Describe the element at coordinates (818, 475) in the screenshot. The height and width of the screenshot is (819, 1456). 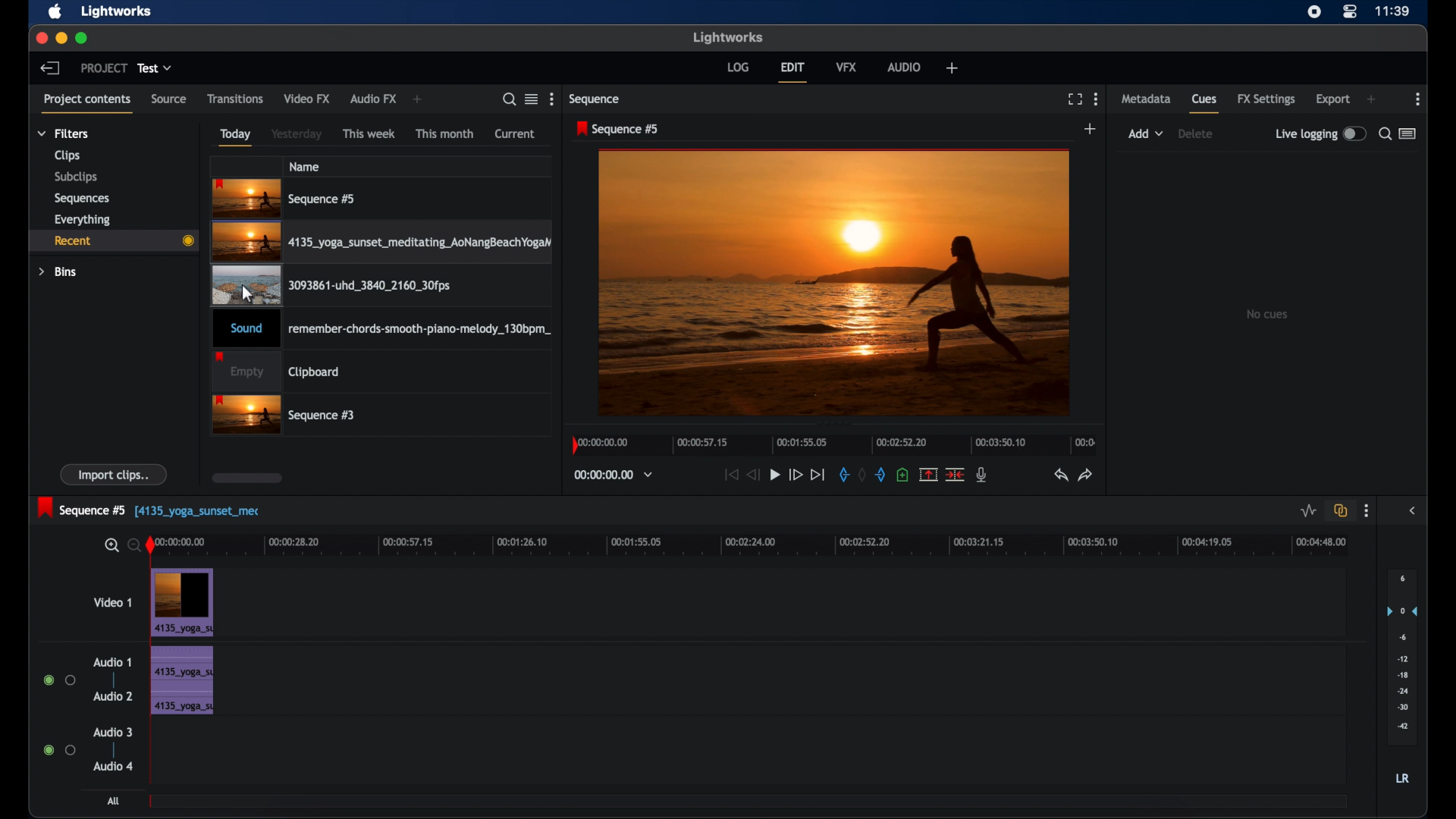
I see `jump to end` at that location.